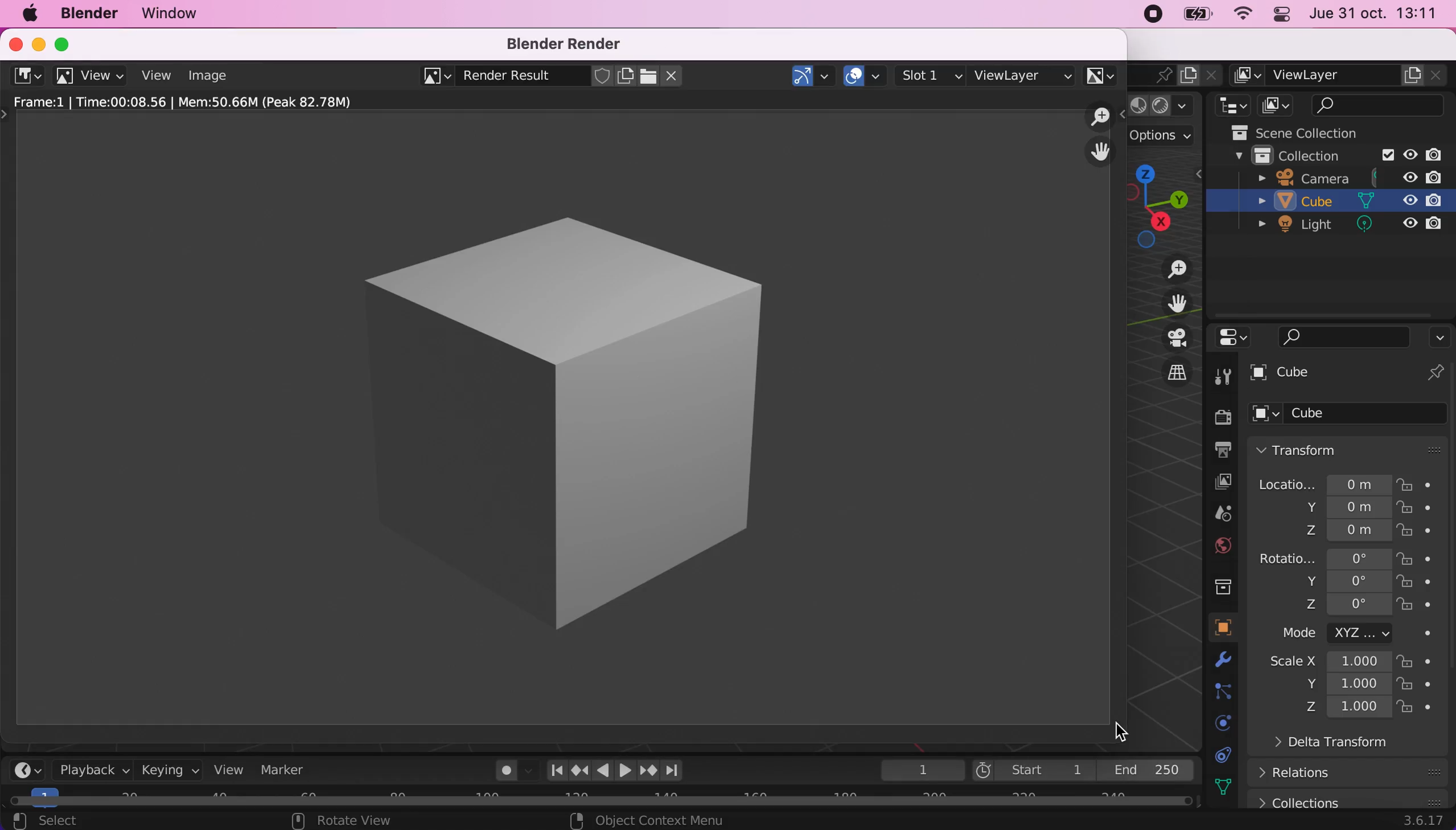  I want to click on Cursor on image, so click(212, 78).